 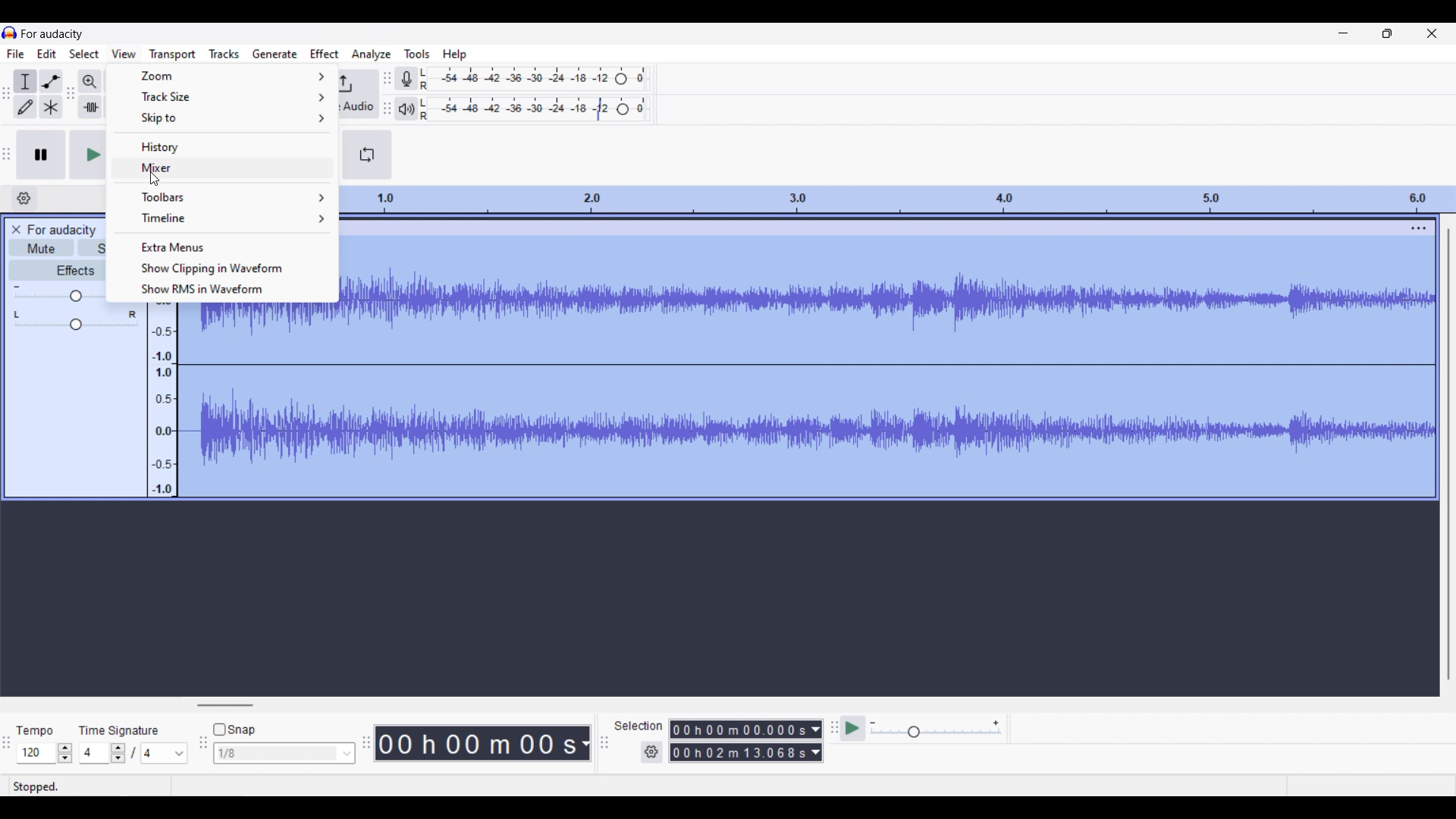 I want to click on Software logo, so click(x=10, y=33).